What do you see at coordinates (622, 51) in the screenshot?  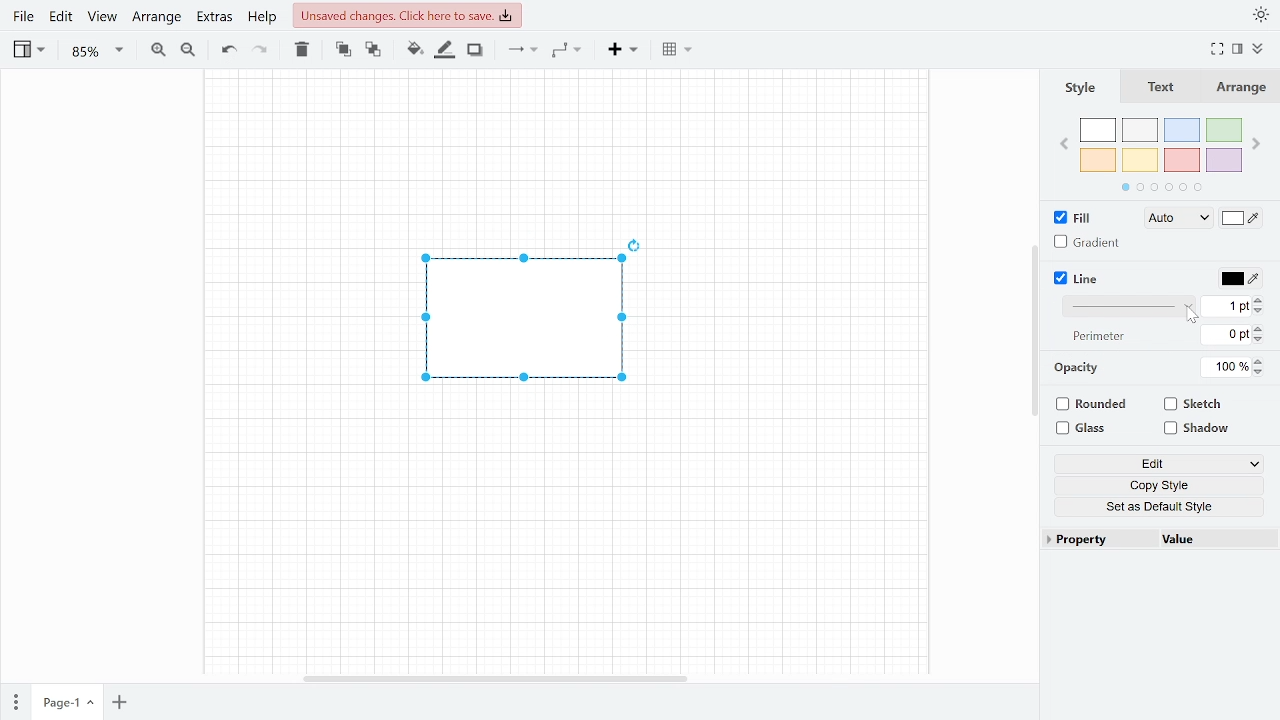 I see `Insert` at bounding box center [622, 51].